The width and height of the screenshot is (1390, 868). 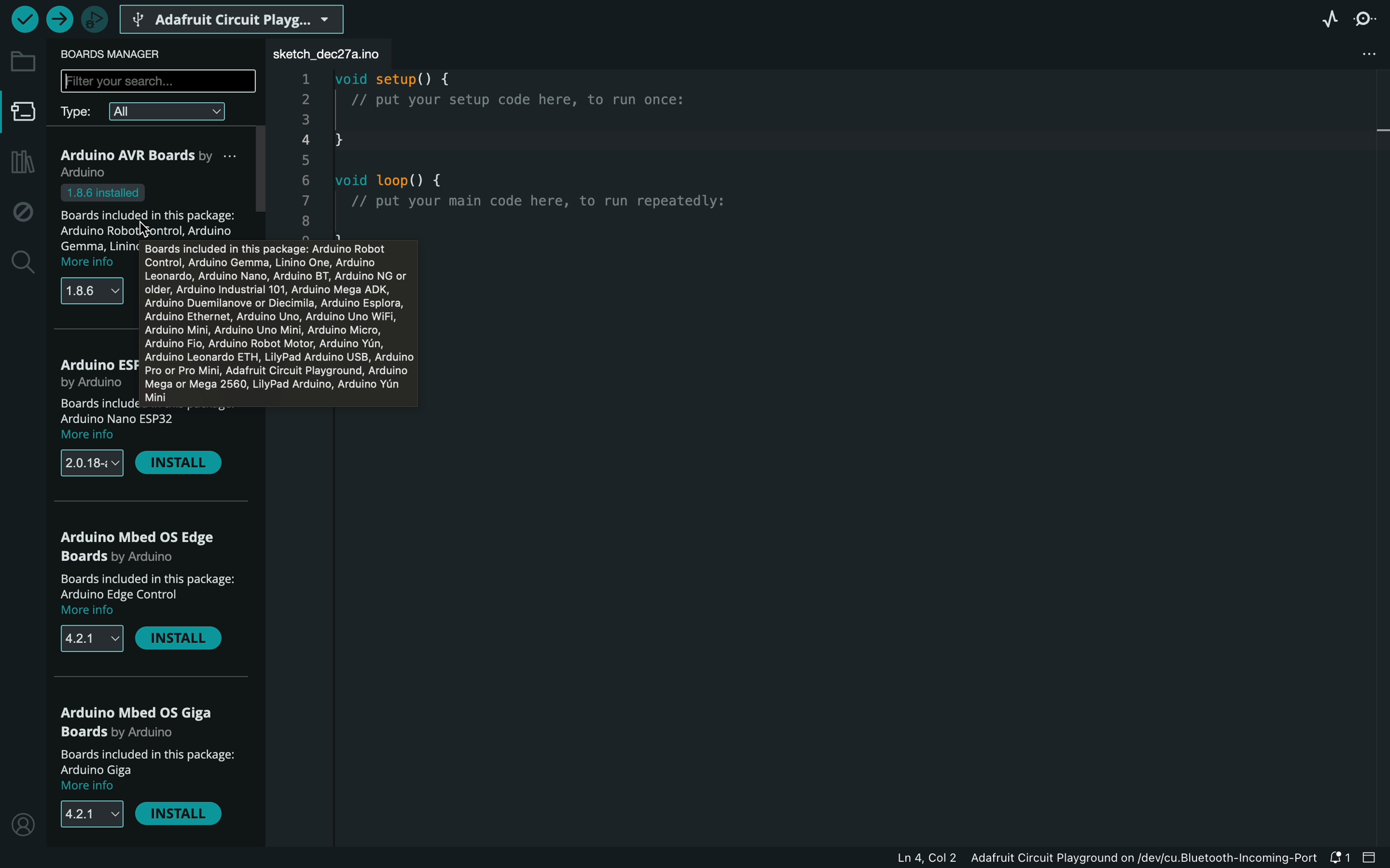 I want to click on serial monitor, so click(x=1366, y=20).